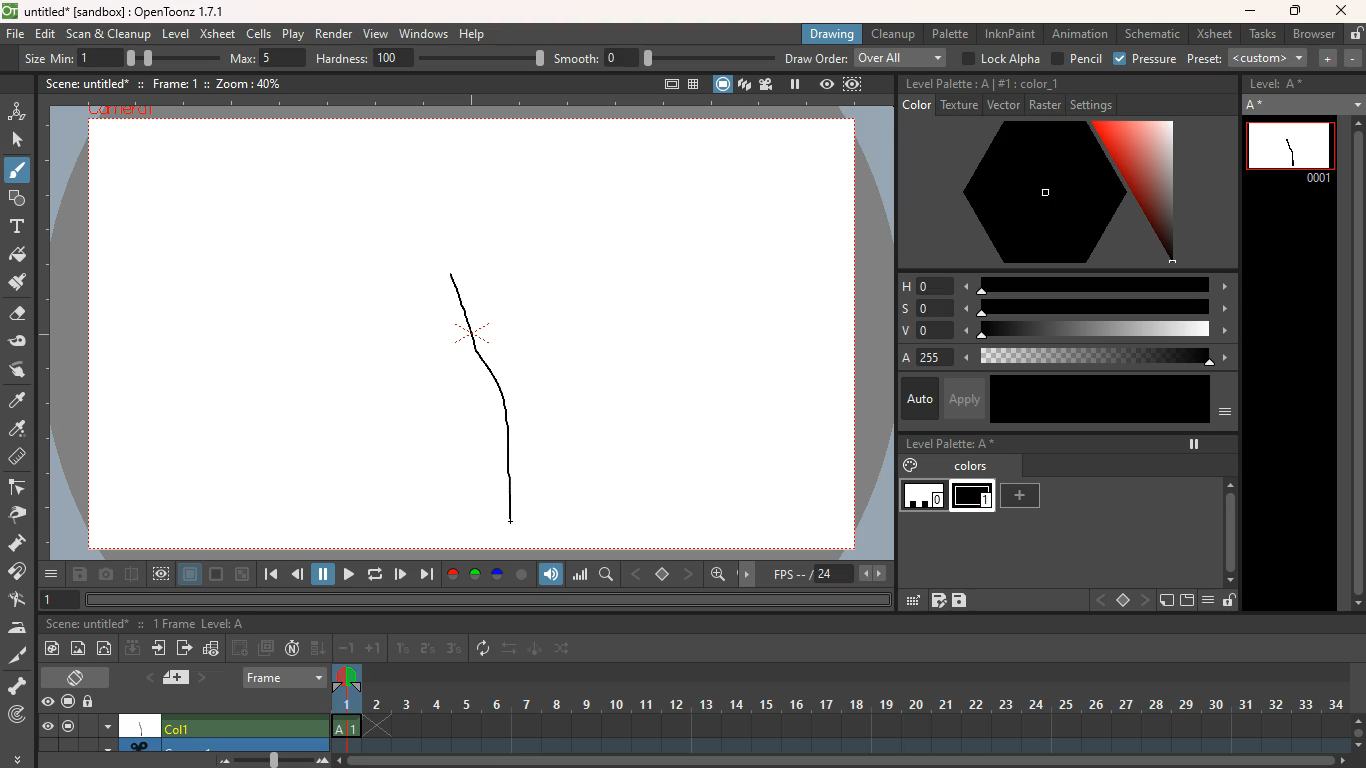  Describe the element at coordinates (160, 650) in the screenshot. I see `move` at that location.